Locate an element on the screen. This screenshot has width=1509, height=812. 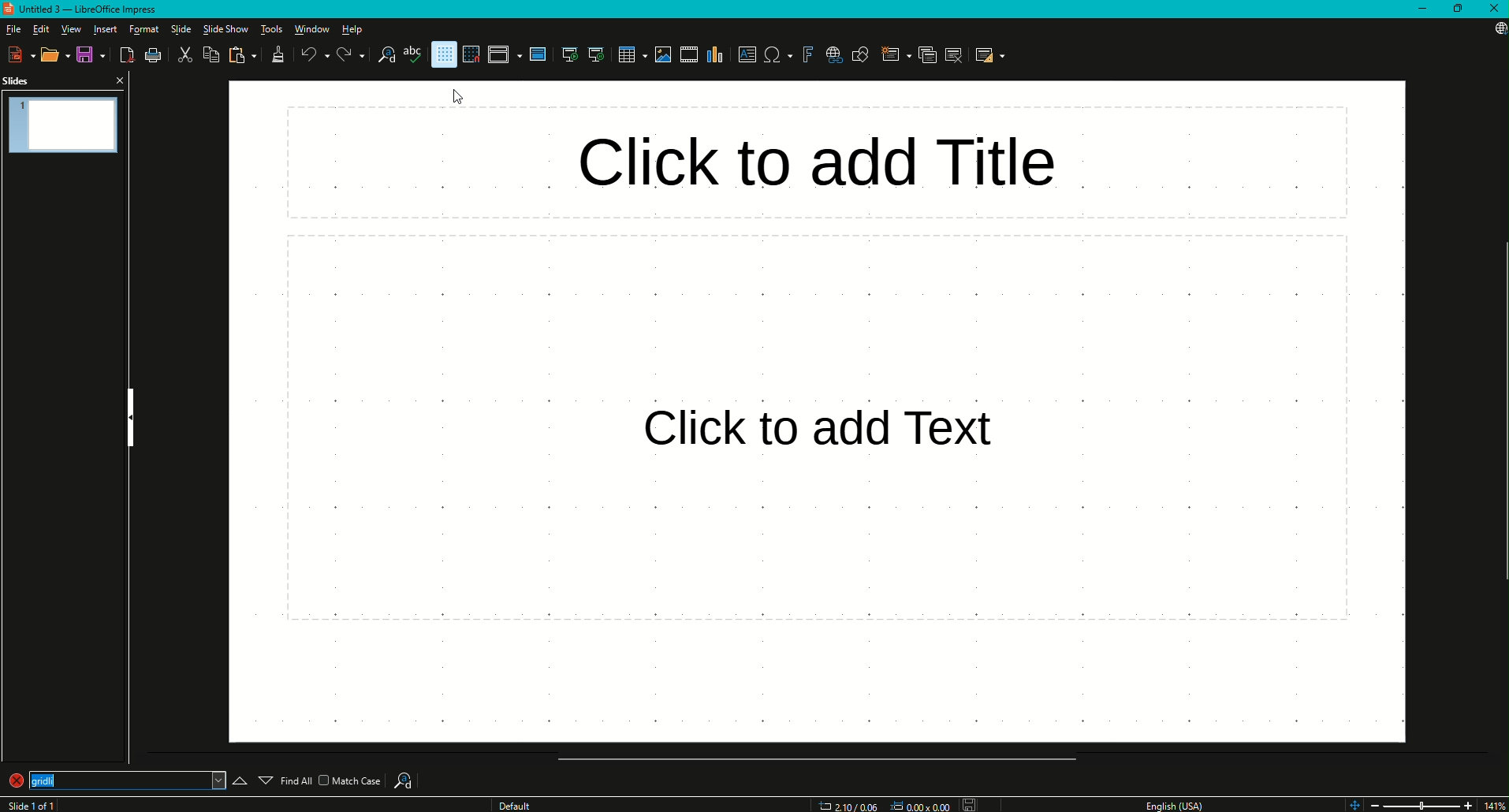
Zoom In is located at coordinates (1466, 804).